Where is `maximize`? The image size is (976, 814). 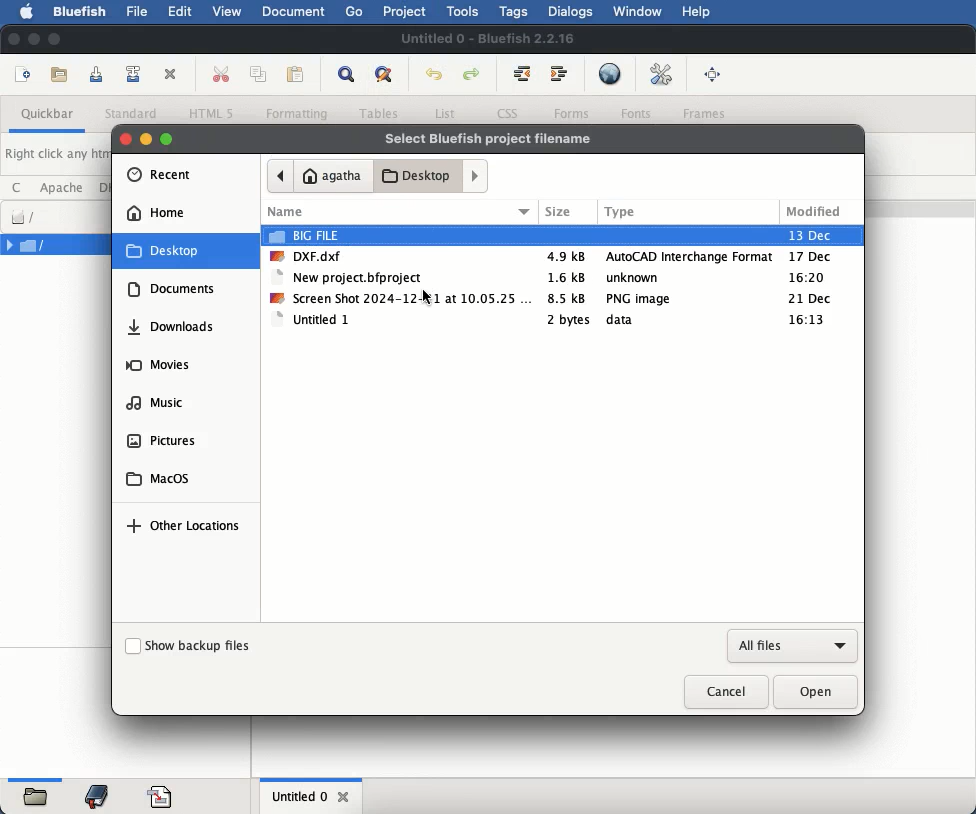 maximize is located at coordinates (56, 41).